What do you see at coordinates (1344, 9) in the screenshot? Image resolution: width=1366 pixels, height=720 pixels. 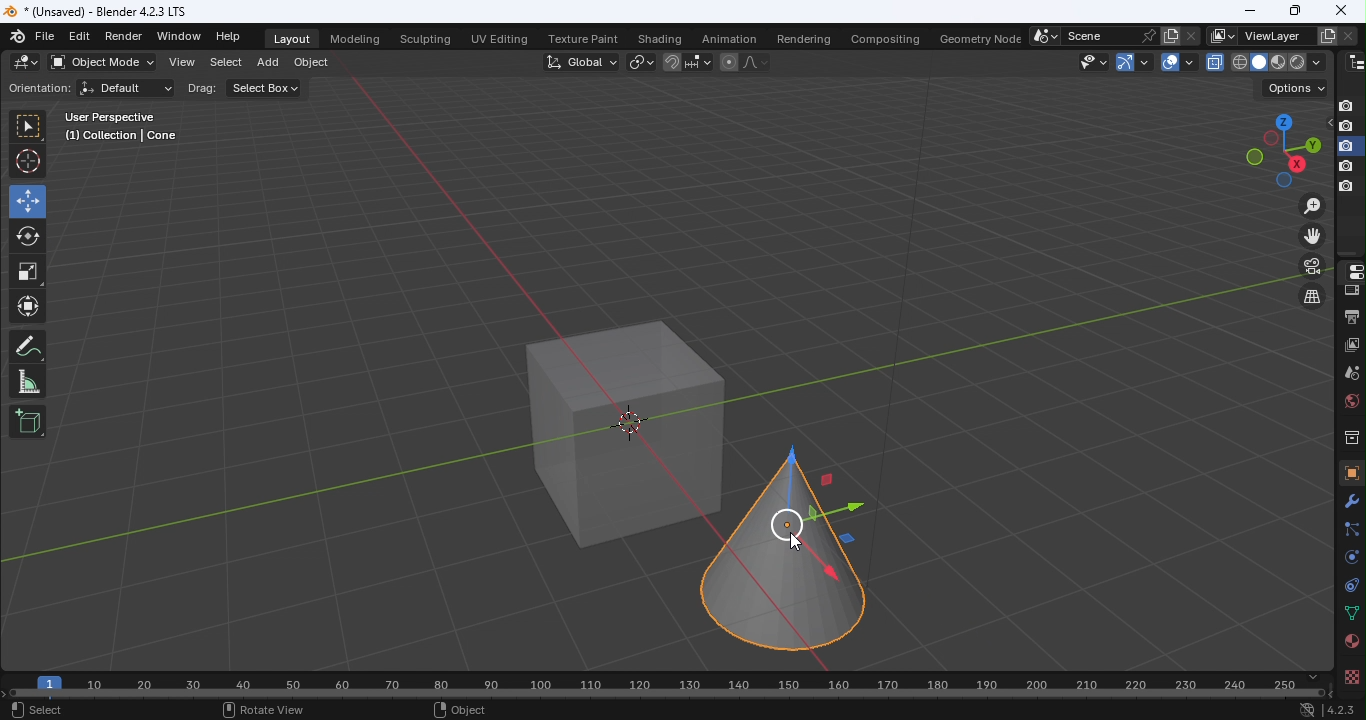 I see `close` at bounding box center [1344, 9].